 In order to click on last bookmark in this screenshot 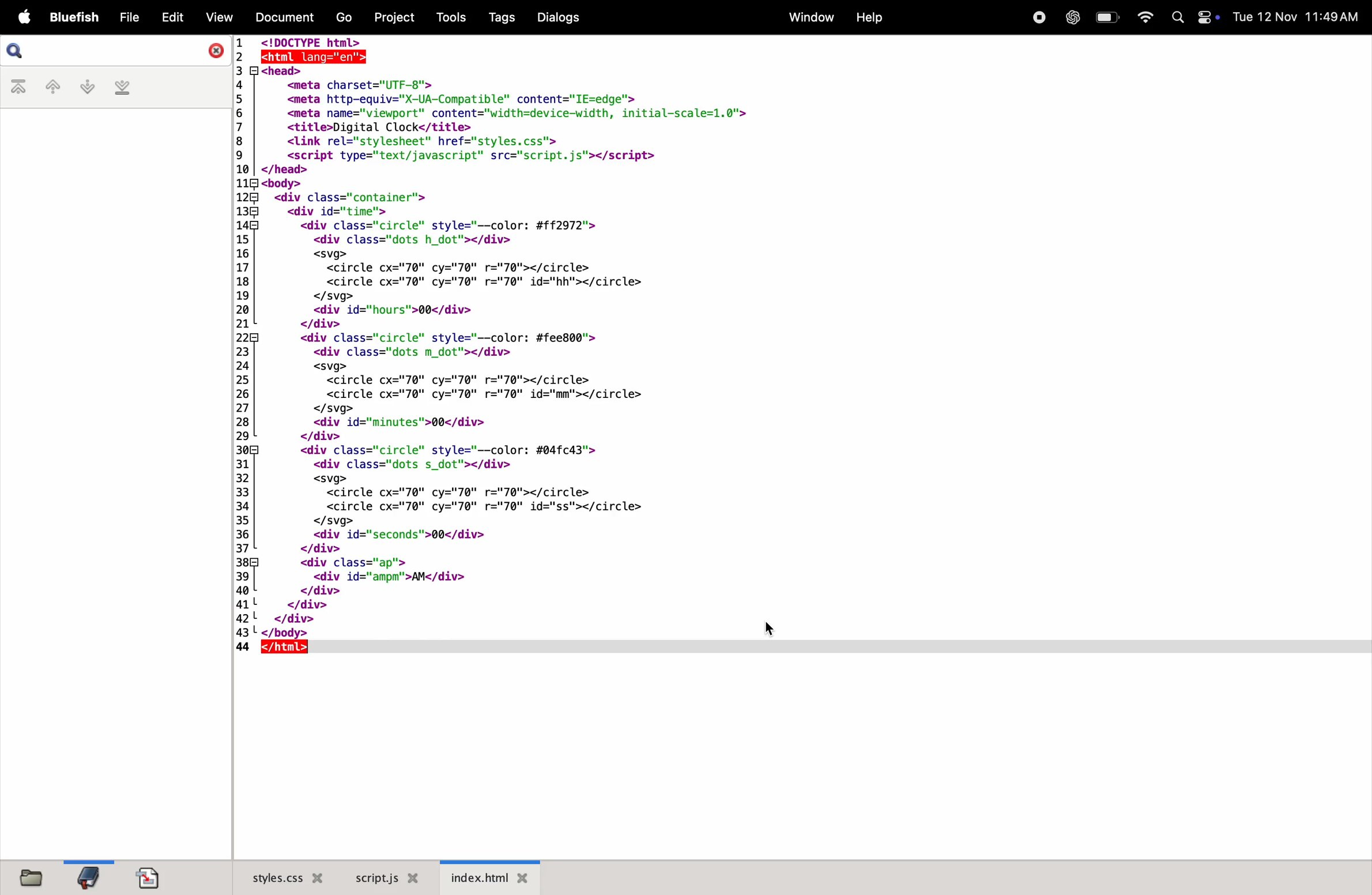, I will do `click(122, 88)`.